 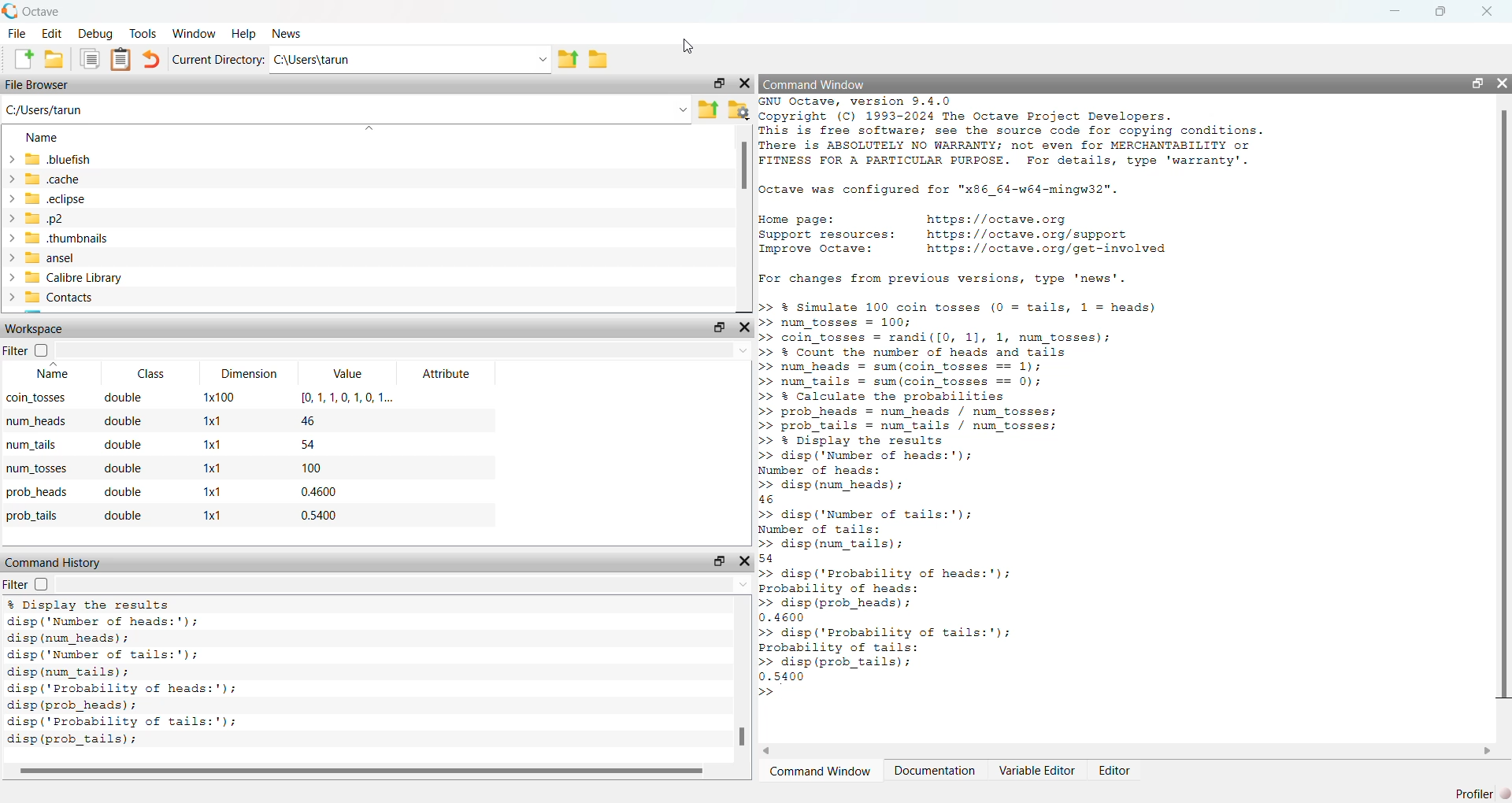 What do you see at coordinates (51, 34) in the screenshot?
I see `Edit` at bounding box center [51, 34].